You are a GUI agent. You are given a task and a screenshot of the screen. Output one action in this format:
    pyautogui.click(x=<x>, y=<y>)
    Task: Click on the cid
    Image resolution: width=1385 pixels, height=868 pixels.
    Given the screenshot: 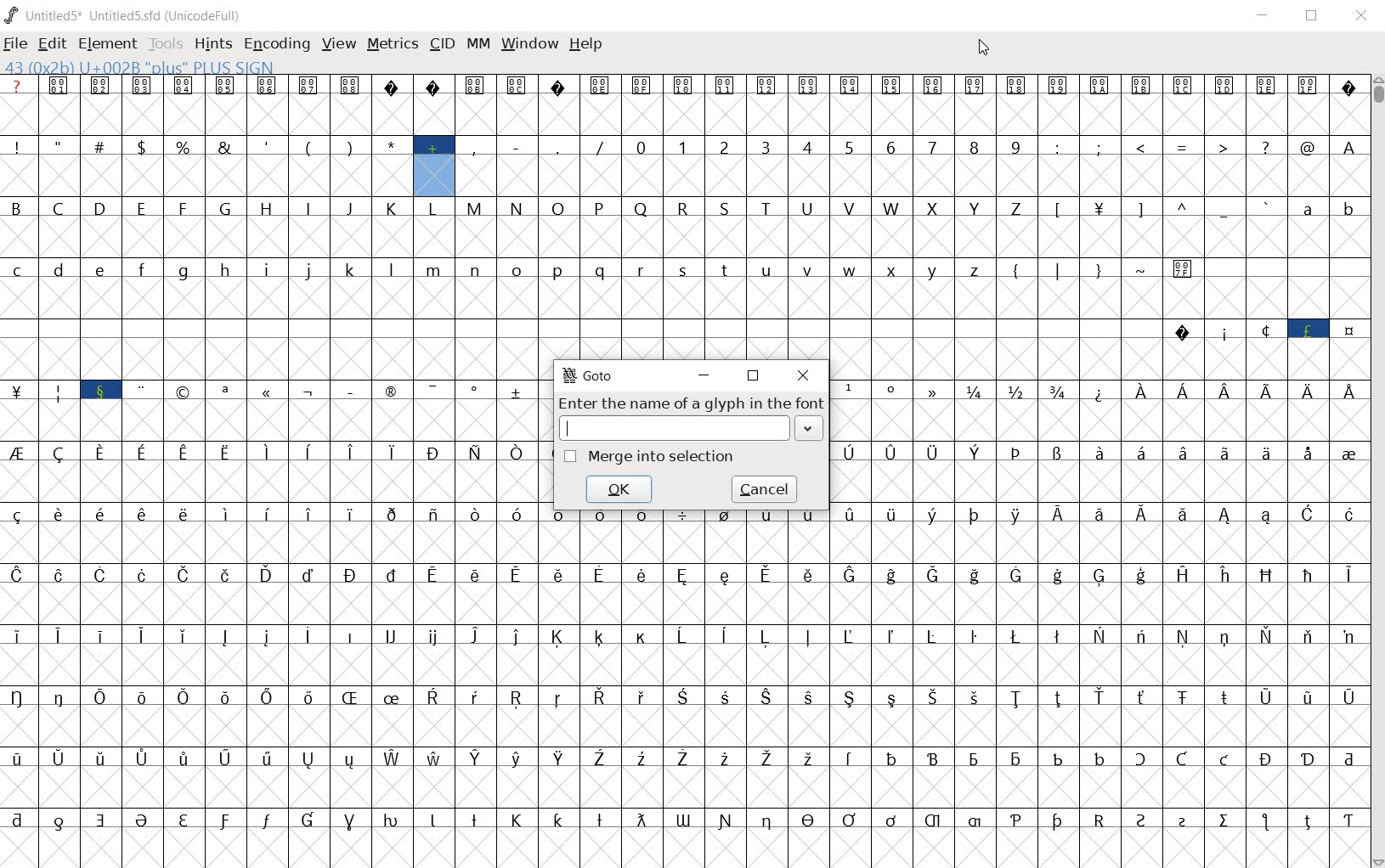 What is the action you would take?
    pyautogui.click(x=441, y=42)
    